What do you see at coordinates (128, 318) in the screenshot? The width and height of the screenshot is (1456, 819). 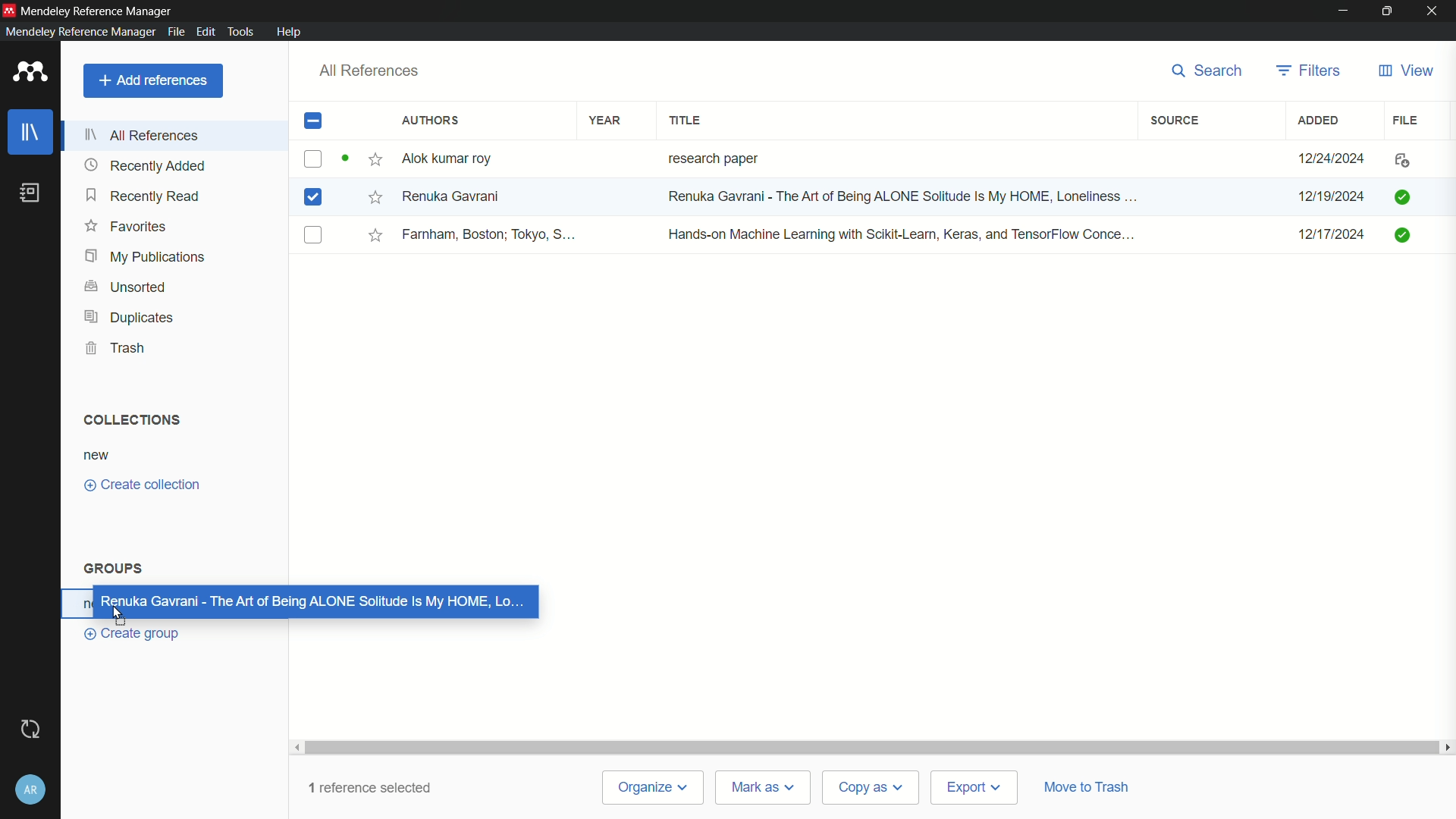 I see `duplicates` at bounding box center [128, 318].